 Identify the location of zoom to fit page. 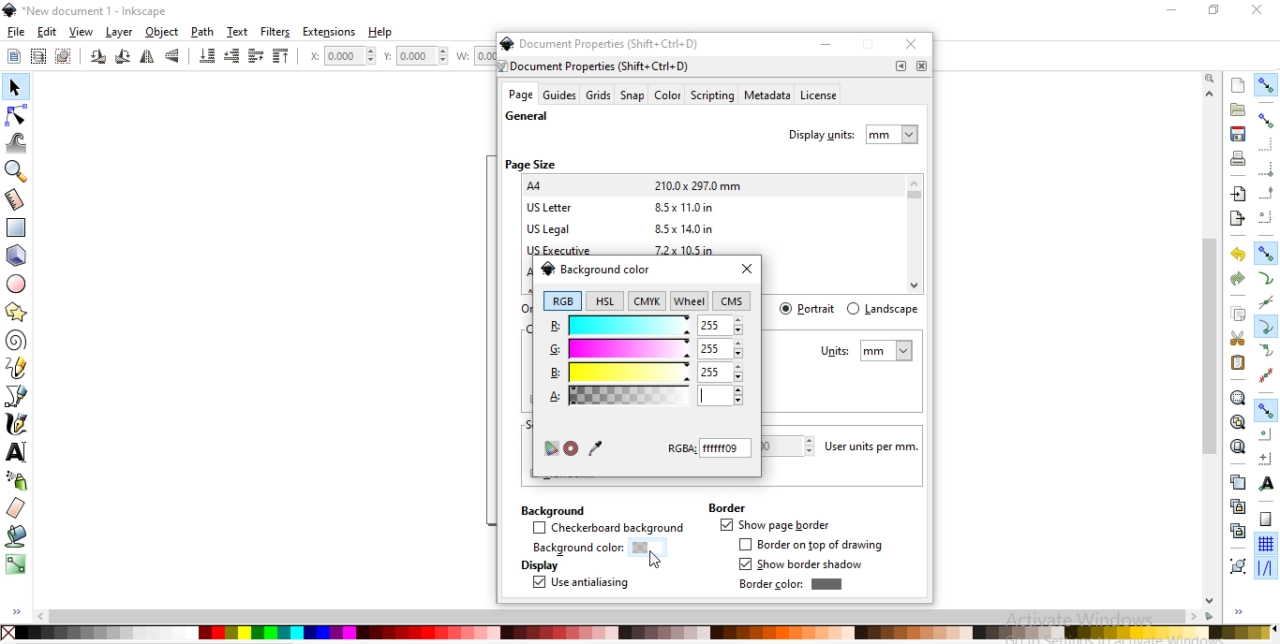
(1237, 446).